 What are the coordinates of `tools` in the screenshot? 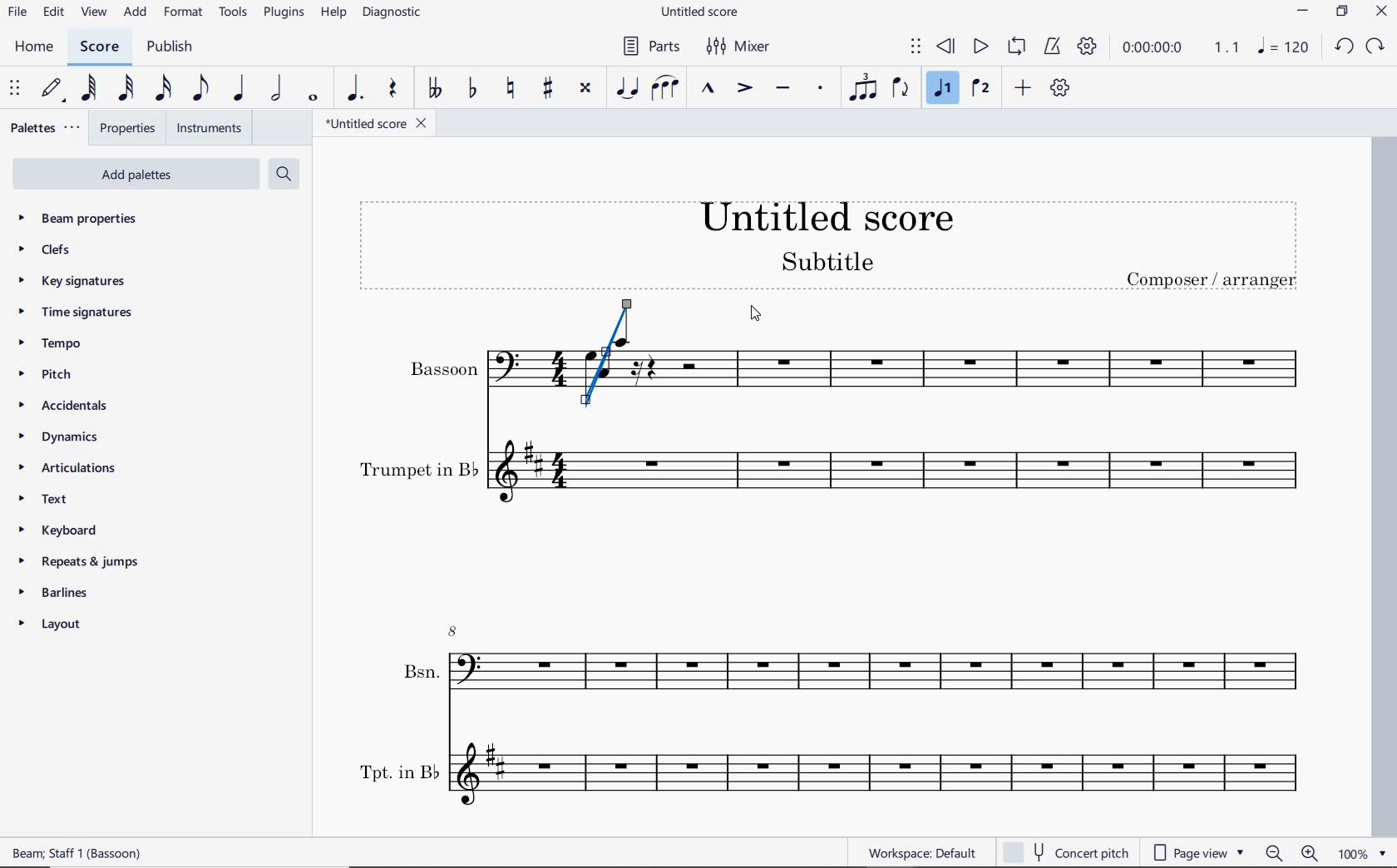 It's located at (233, 12).